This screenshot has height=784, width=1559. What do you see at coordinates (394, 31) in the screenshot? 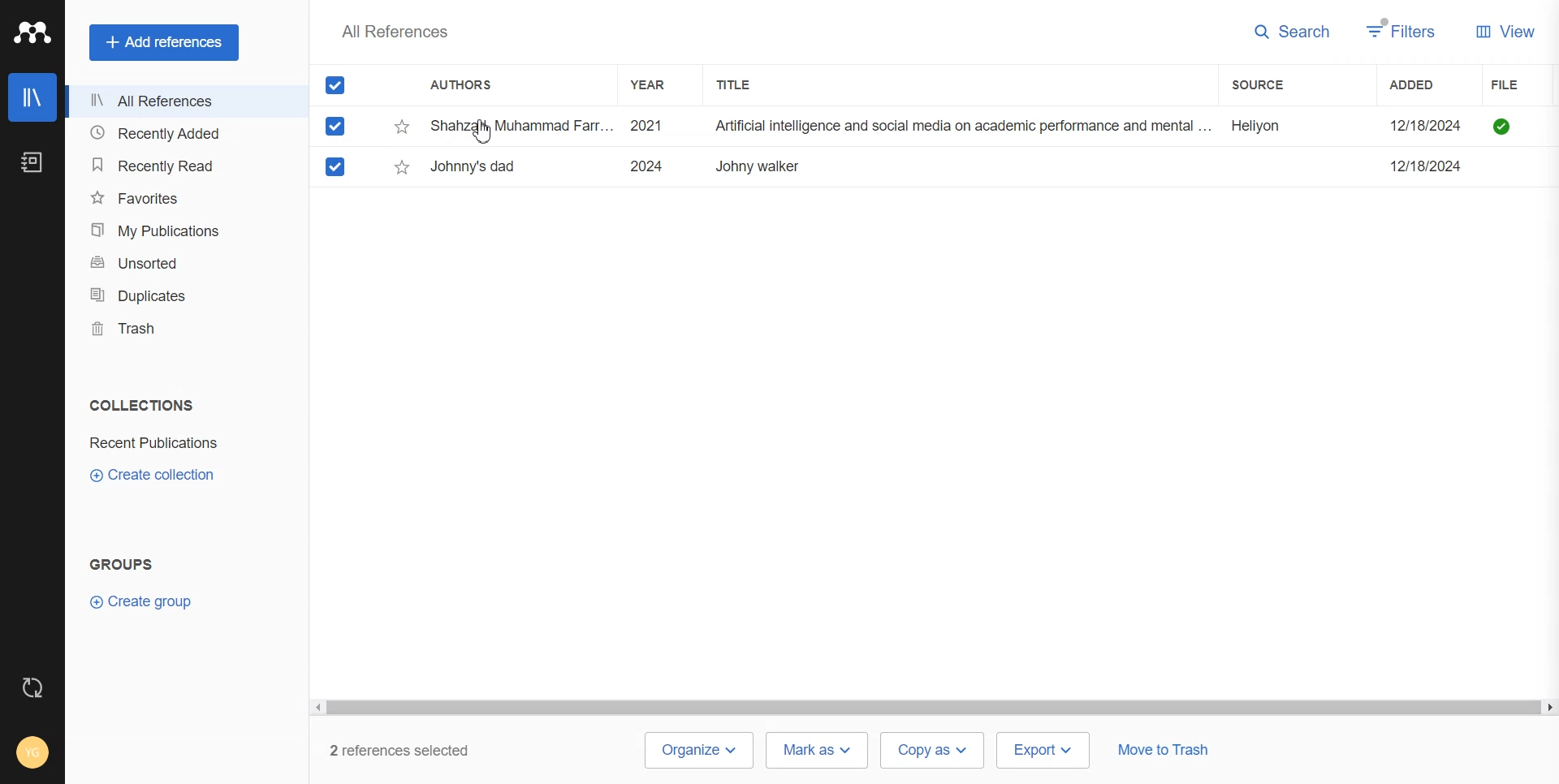
I see `Text` at bounding box center [394, 31].